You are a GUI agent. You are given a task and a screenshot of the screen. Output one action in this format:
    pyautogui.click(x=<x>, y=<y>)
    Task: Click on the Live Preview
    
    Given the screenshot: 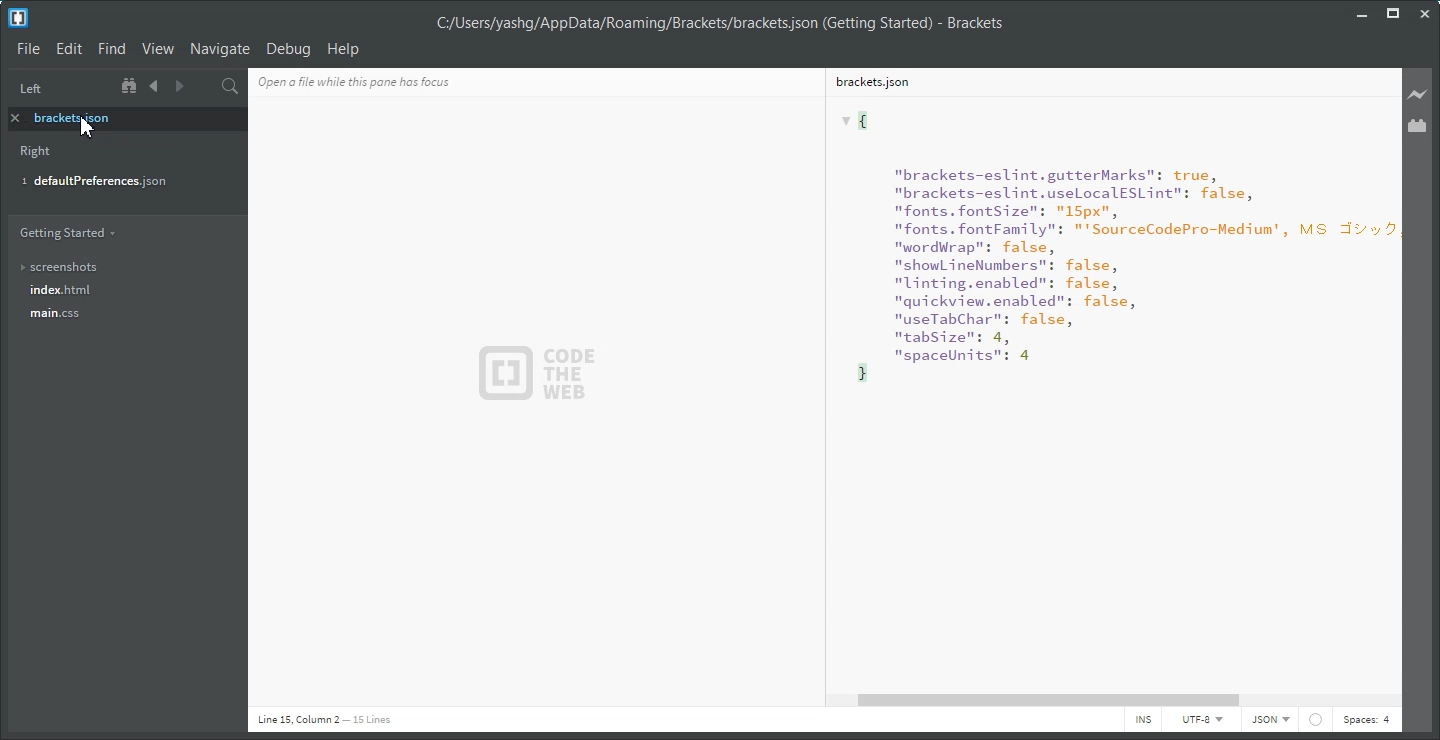 What is the action you would take?
    pyautogui.click(x=1418, y=94)
    